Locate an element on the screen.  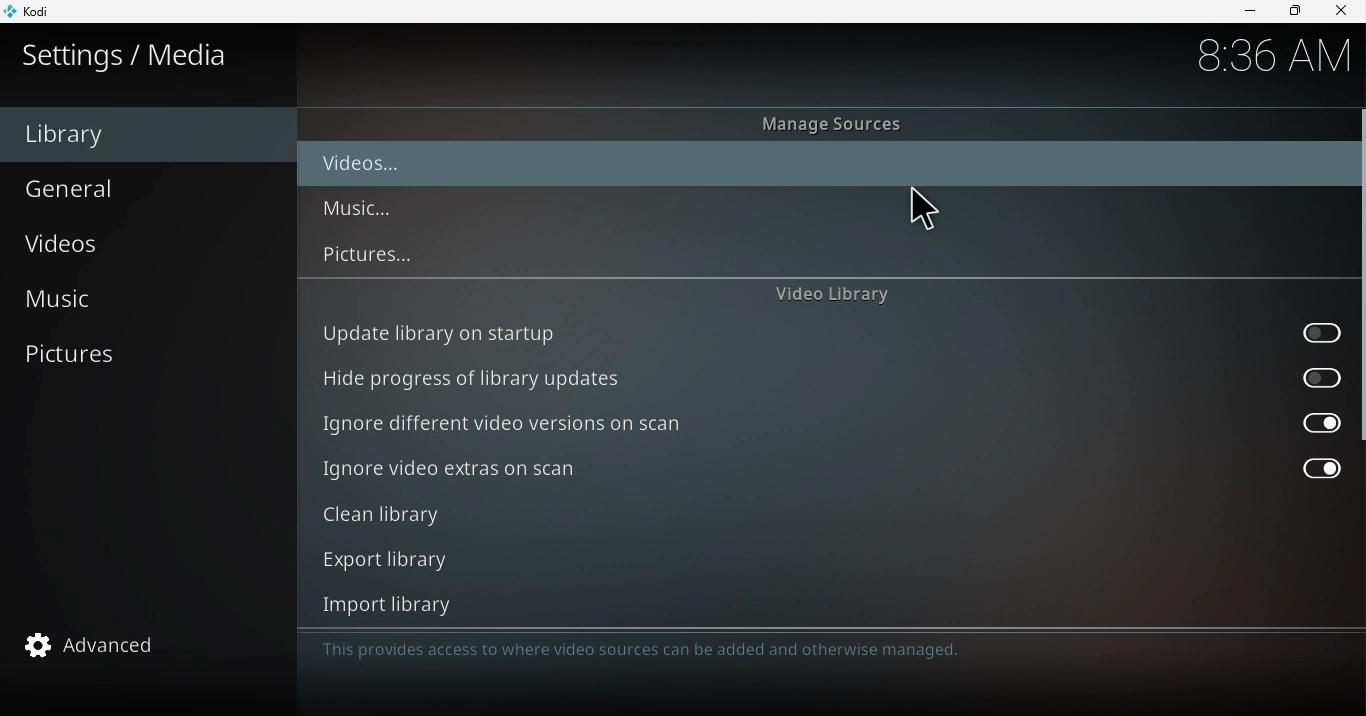
Clean library is located at coordinates (825, 516).